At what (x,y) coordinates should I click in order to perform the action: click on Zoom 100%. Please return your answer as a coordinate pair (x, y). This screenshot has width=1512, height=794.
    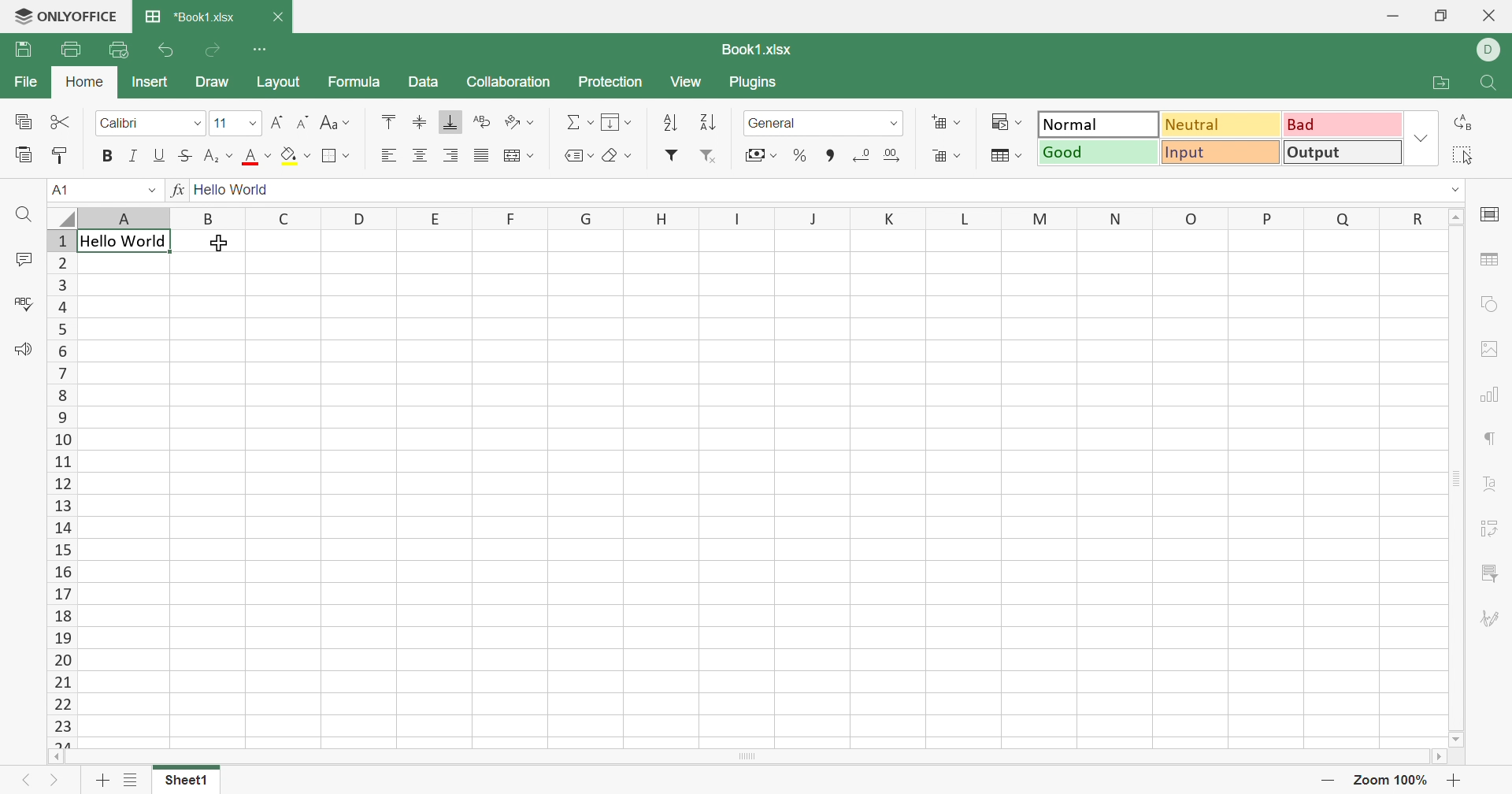
    Looking at the image, I should click on (1392, 780).